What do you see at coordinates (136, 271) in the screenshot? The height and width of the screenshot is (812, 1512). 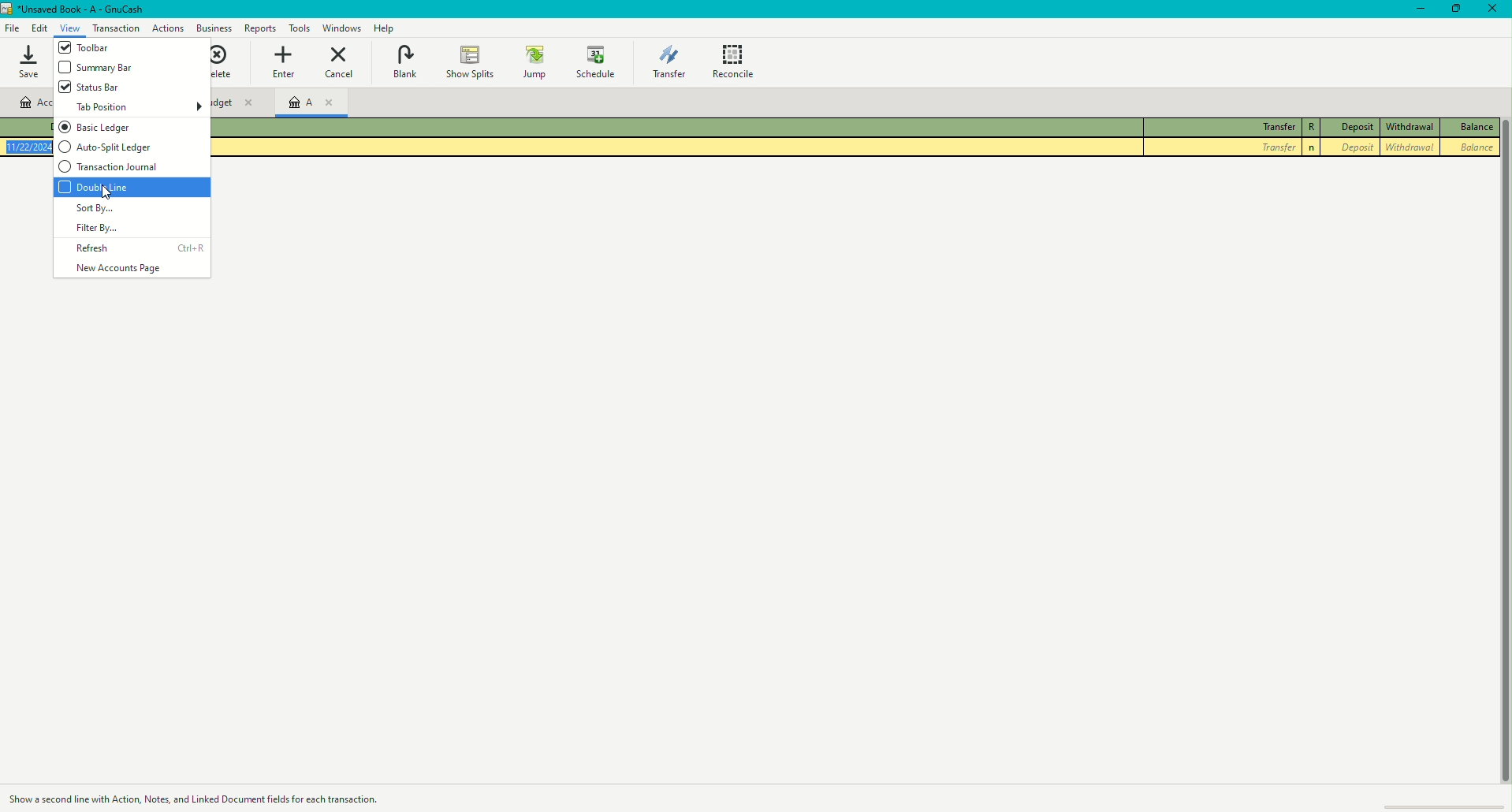 I see `New Accounts Page` at bounding box center [136, 271].